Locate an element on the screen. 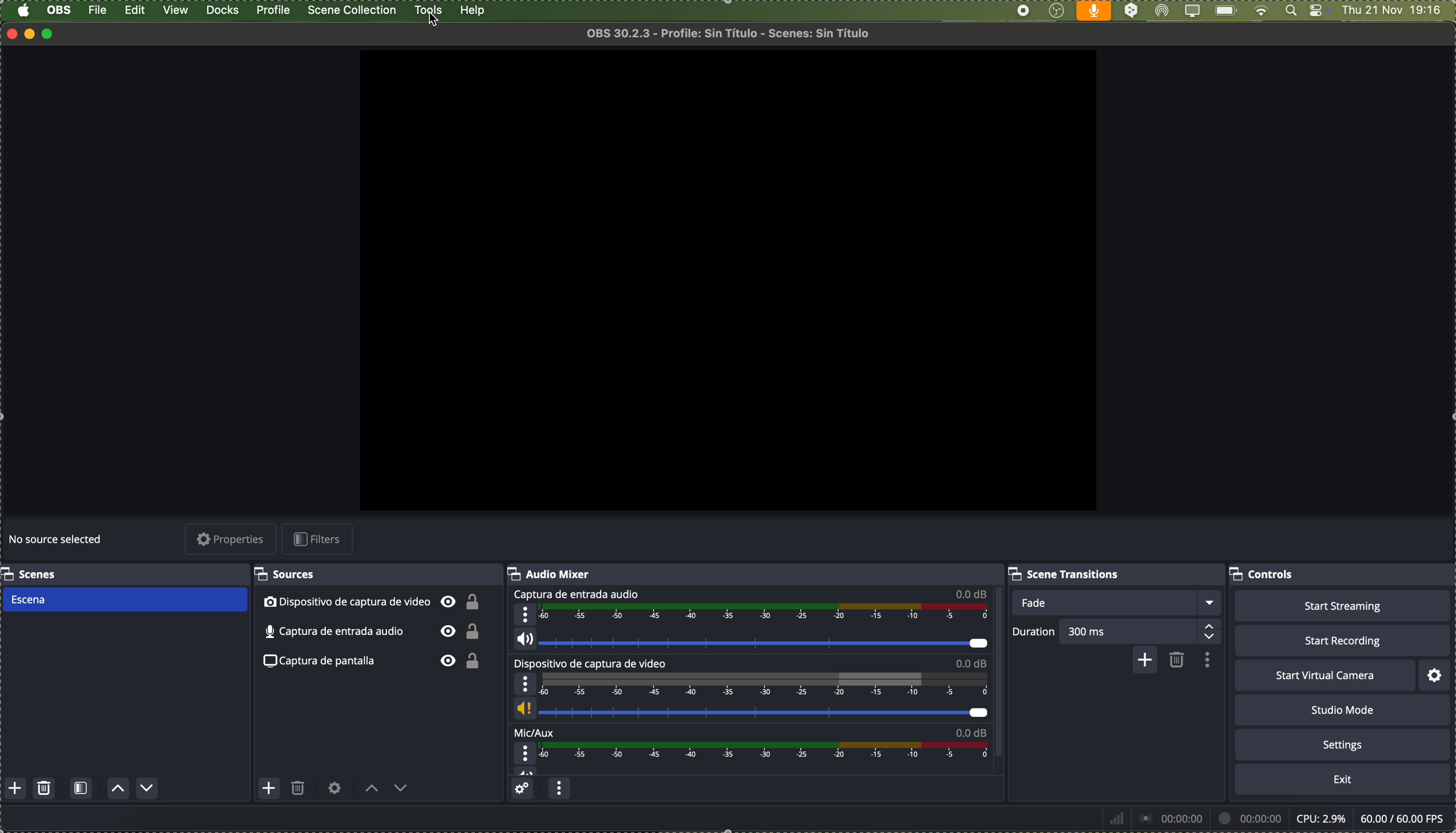 The height and width of the screenshot is (833, 1456). view is located at coordinates (177, 10).